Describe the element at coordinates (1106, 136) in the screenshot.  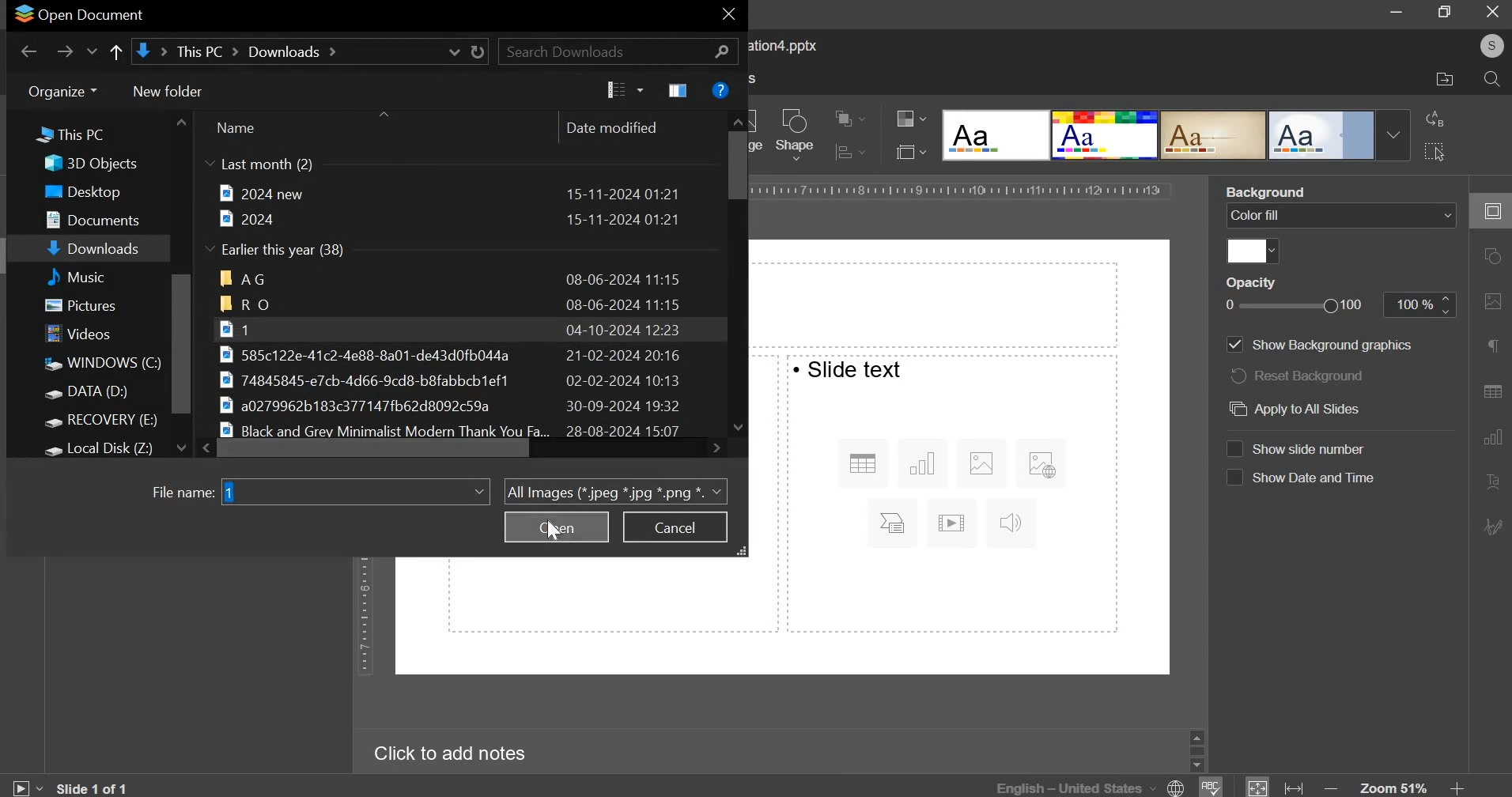
I see `design` at that location.